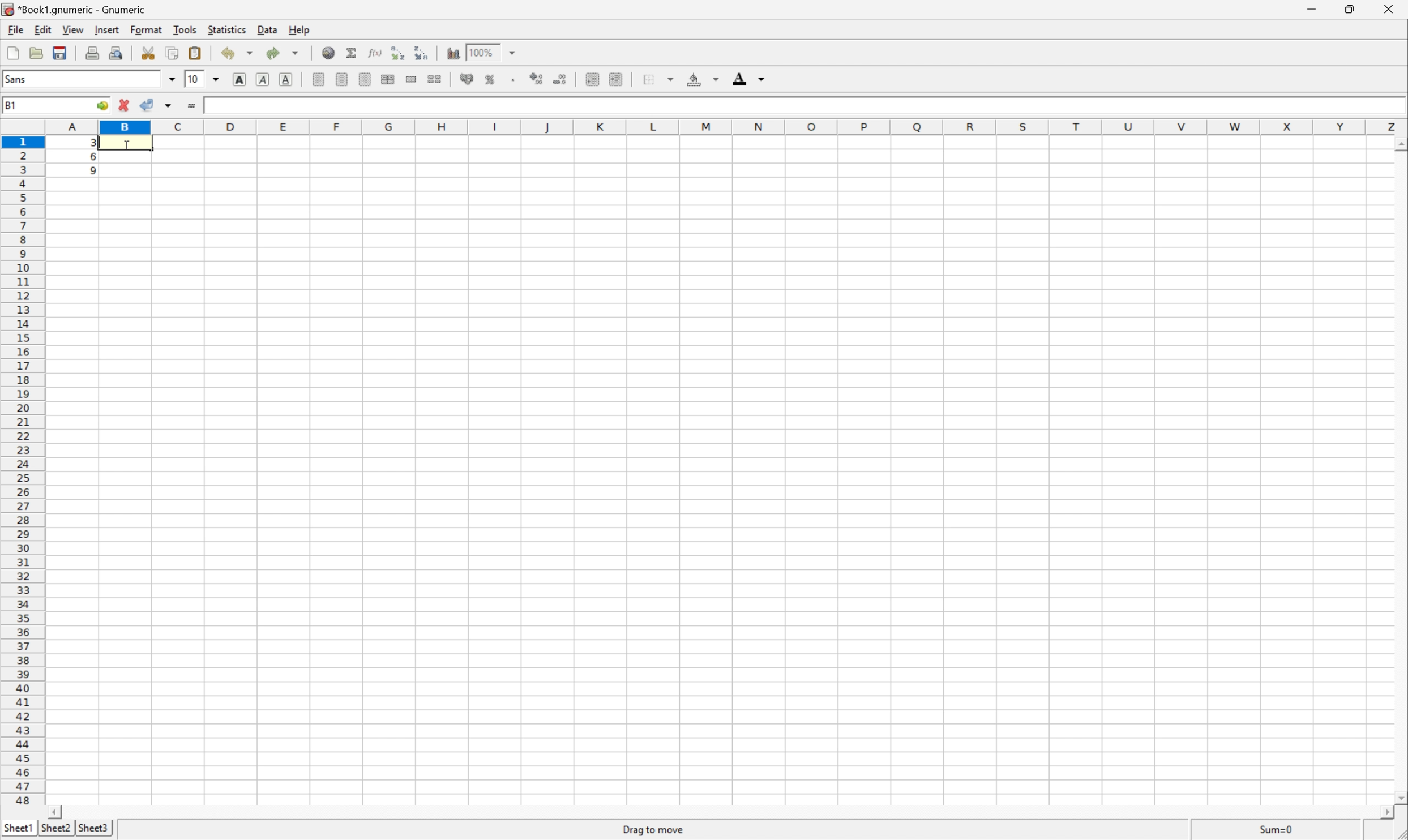  Describe the element at coordinates (352, 53) in the screenshot. I see `Sum in current cell` at that location.